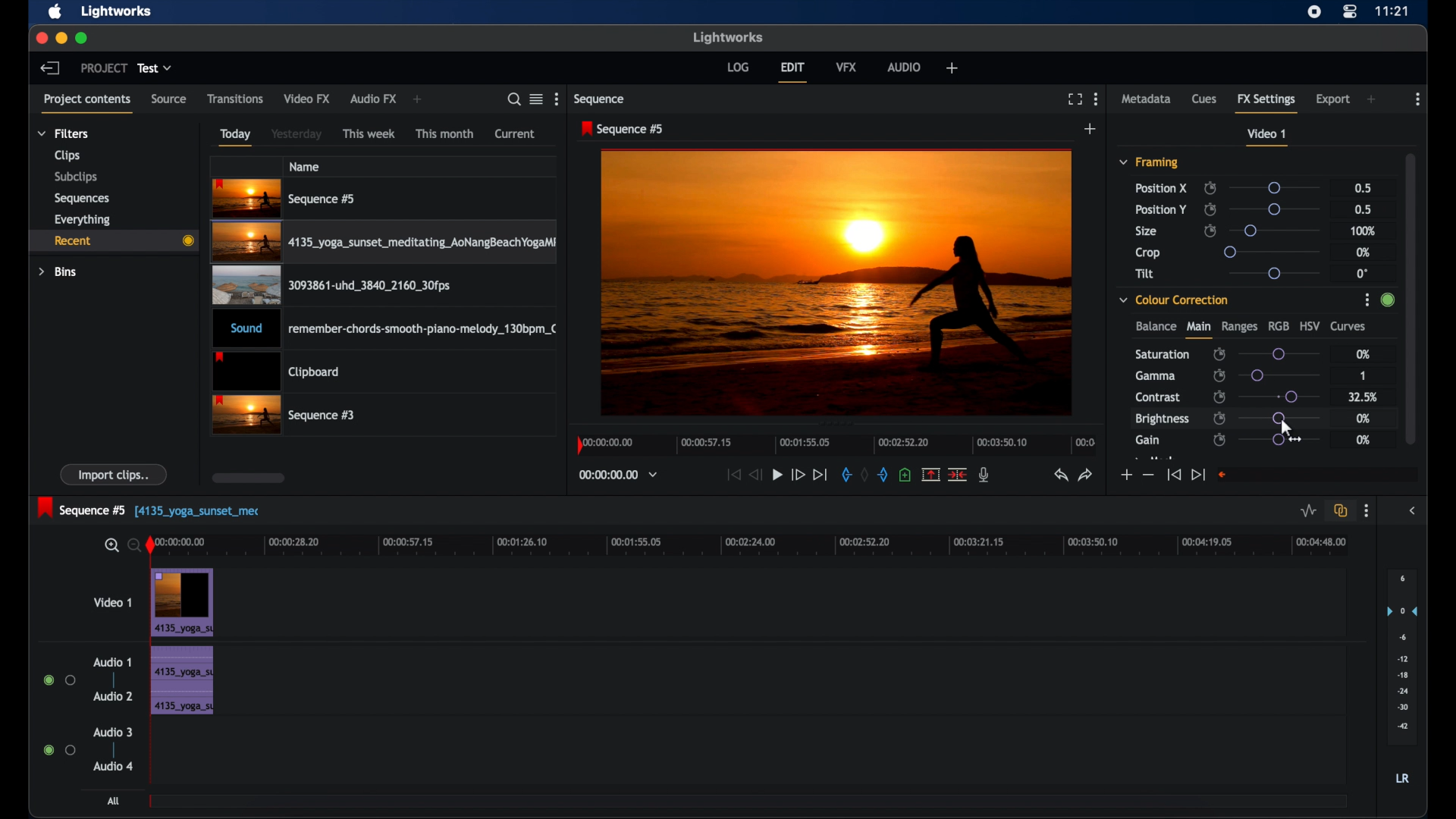 This screenshot has width=1456, height=819. I want to click on slider change, so click(1385, 304).